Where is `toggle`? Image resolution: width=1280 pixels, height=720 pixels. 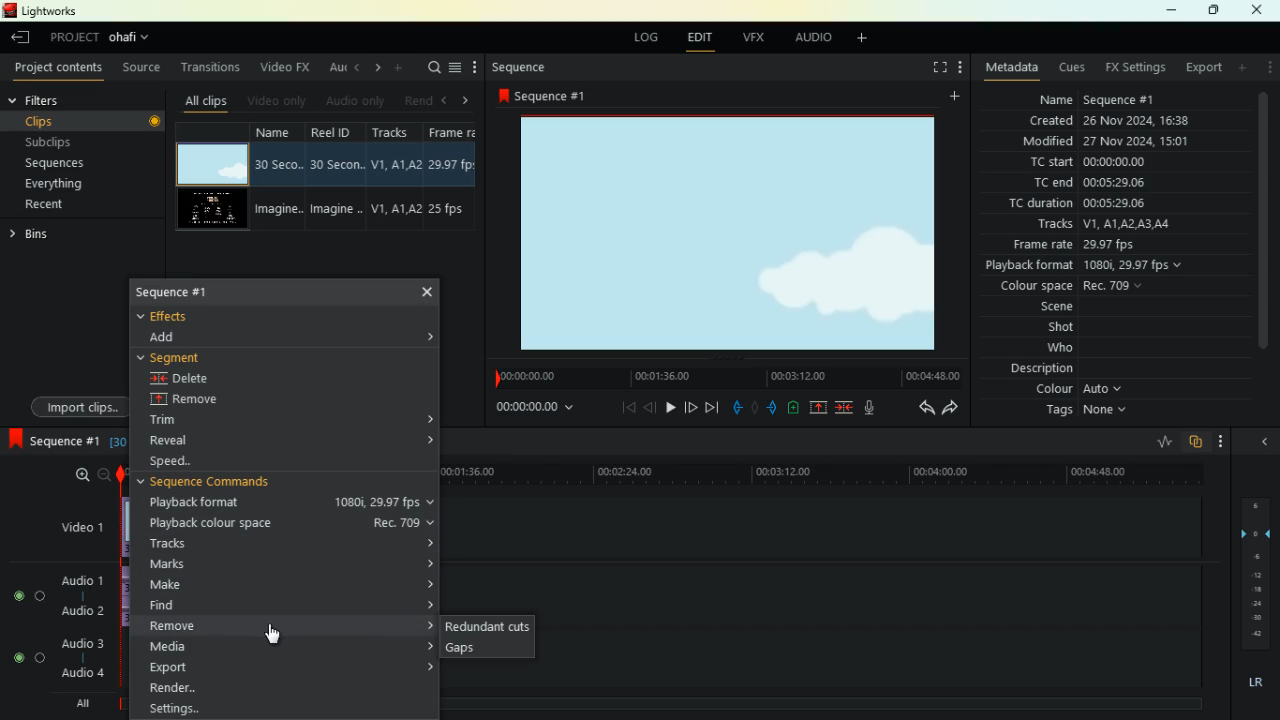 toggle is located at coordinates (17, 656).